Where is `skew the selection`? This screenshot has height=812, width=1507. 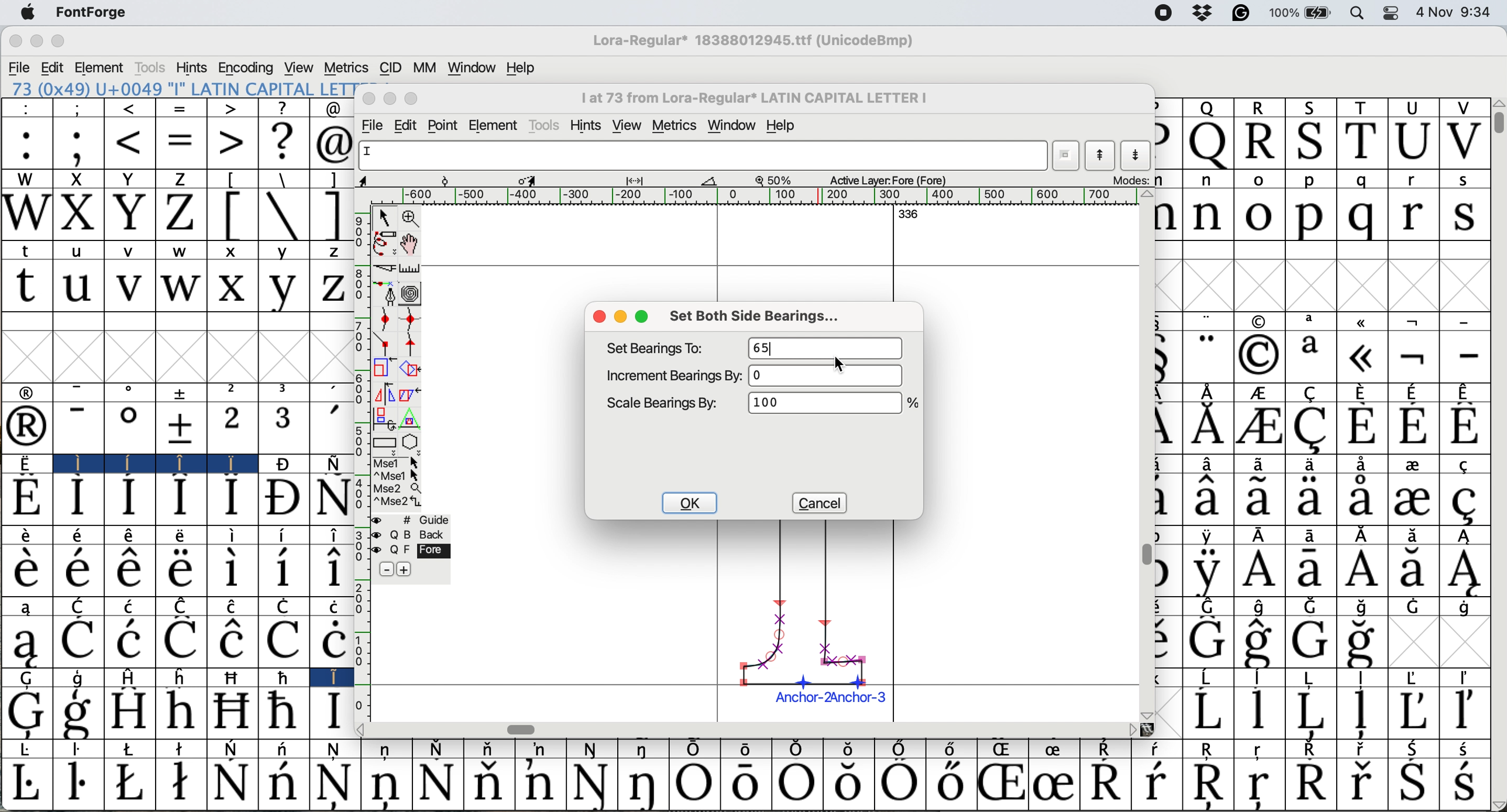
skew the selection is located at coordinates (410, 393).